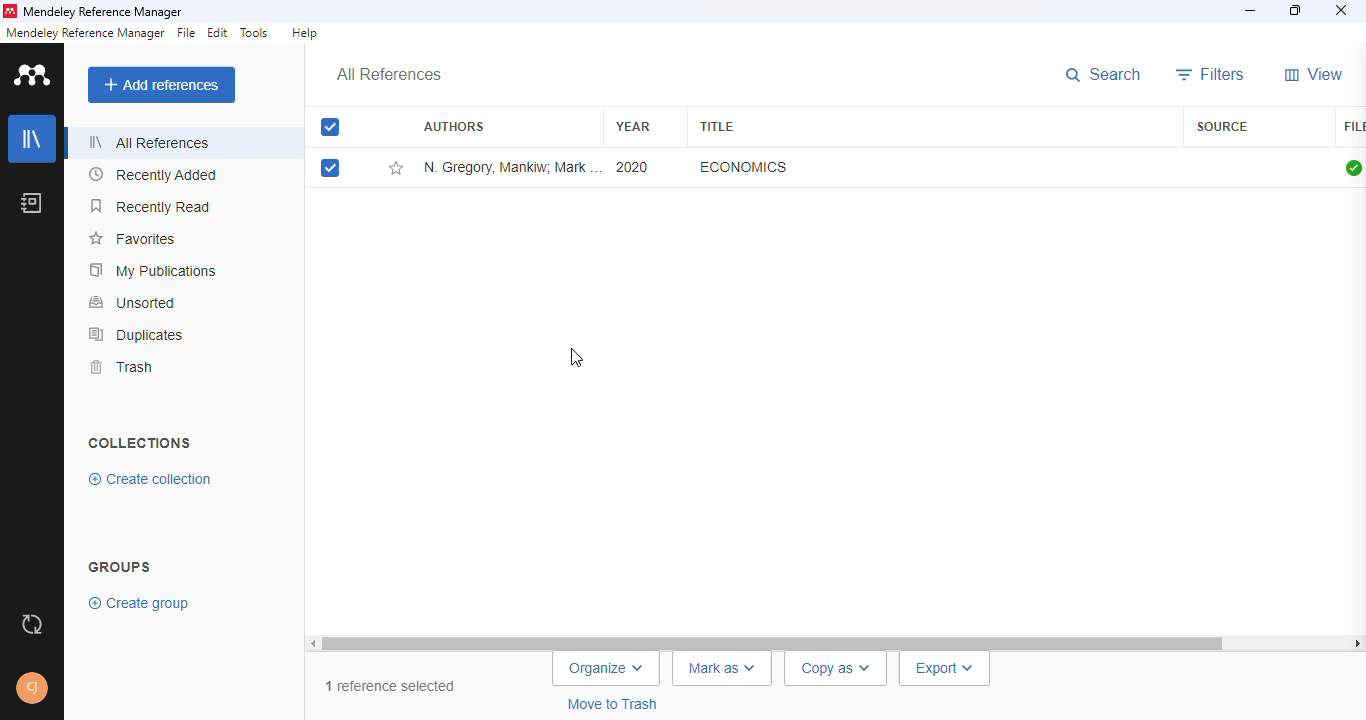 The image size is (1366, 720). I want to click on create group, so click(140, 604).